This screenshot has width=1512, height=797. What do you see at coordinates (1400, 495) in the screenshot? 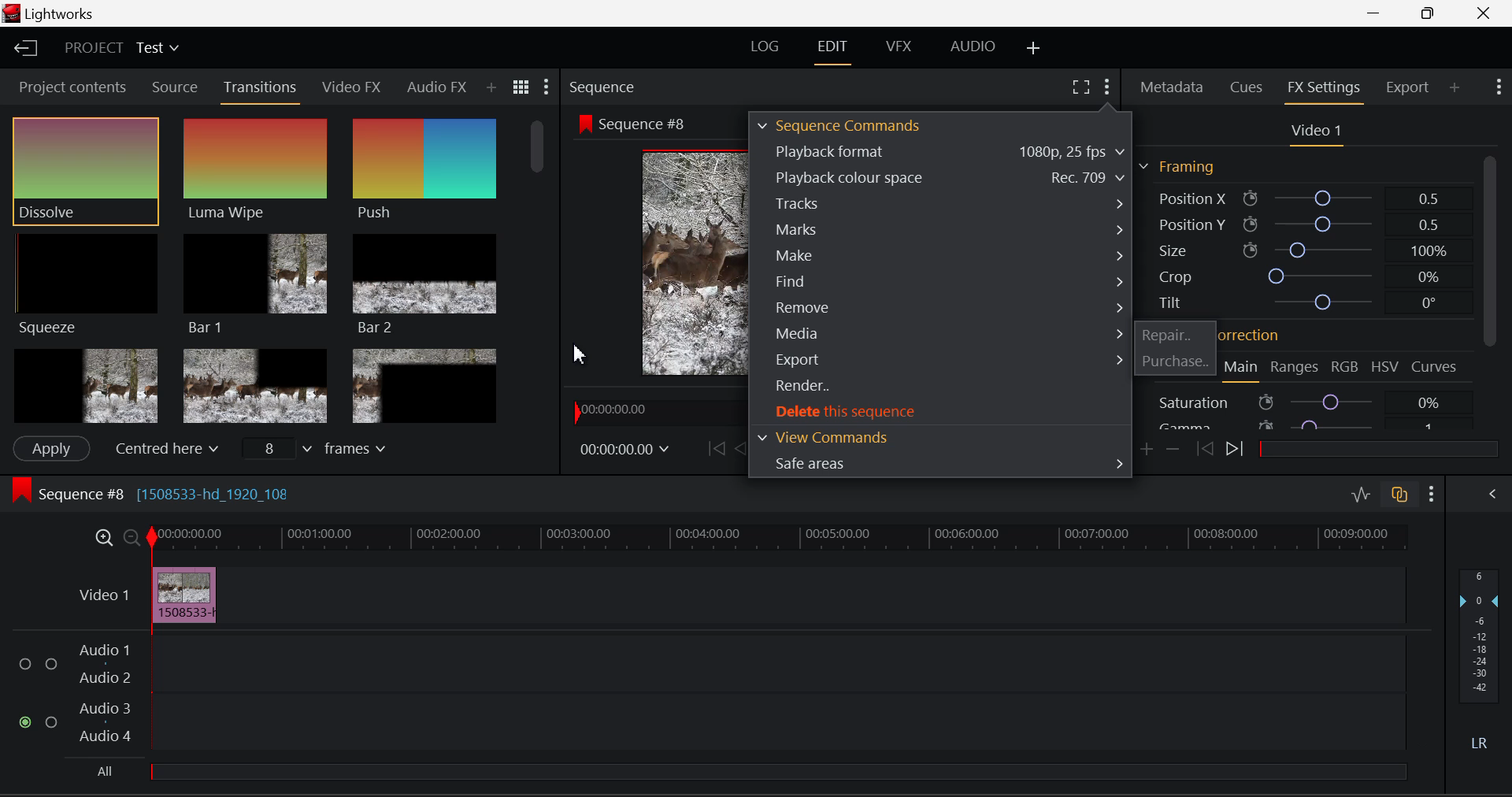
I see `Toggle auto track sync` at bounding box center [1400, 495].